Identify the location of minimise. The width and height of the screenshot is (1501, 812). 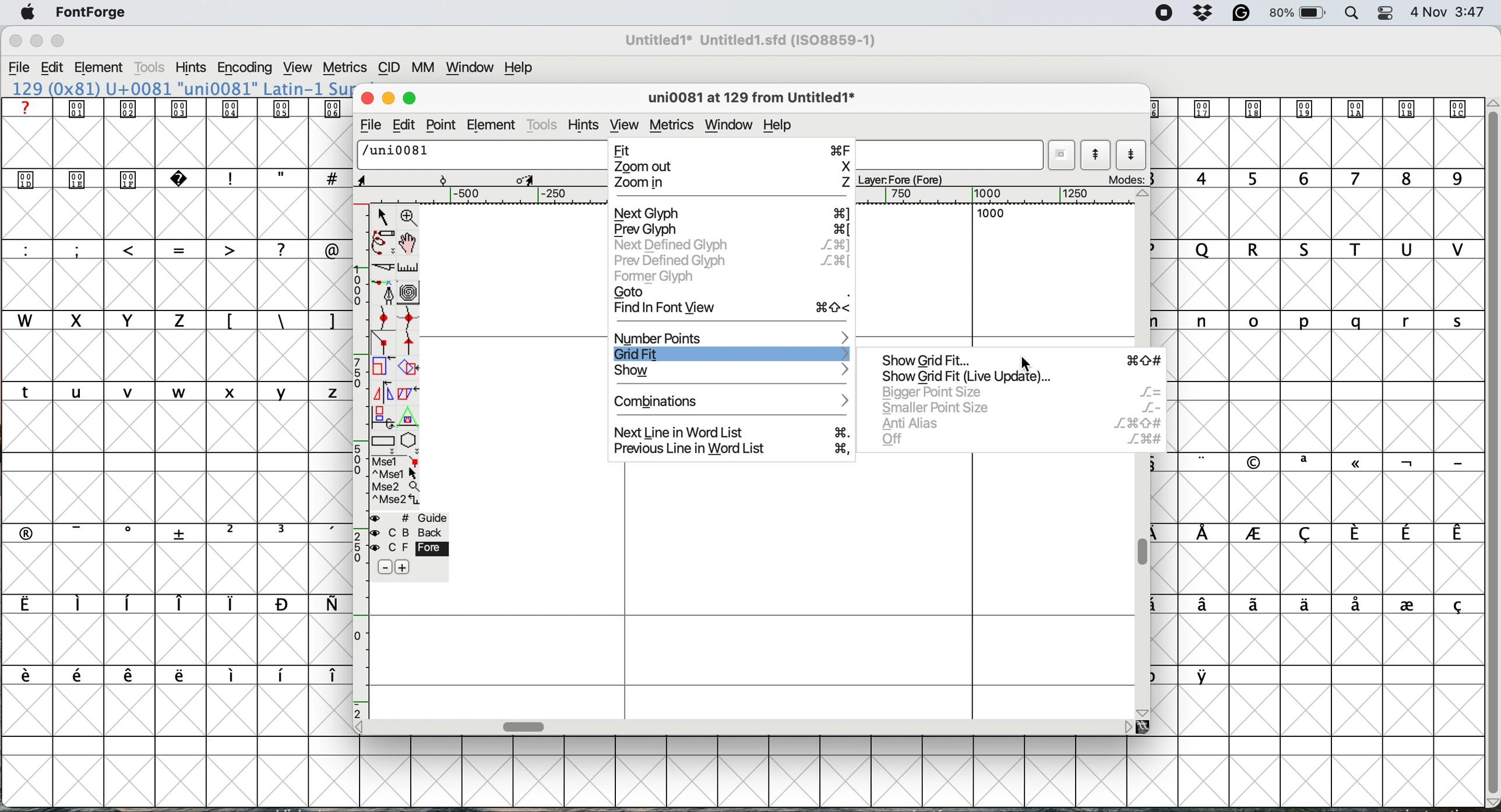
(389, 100).